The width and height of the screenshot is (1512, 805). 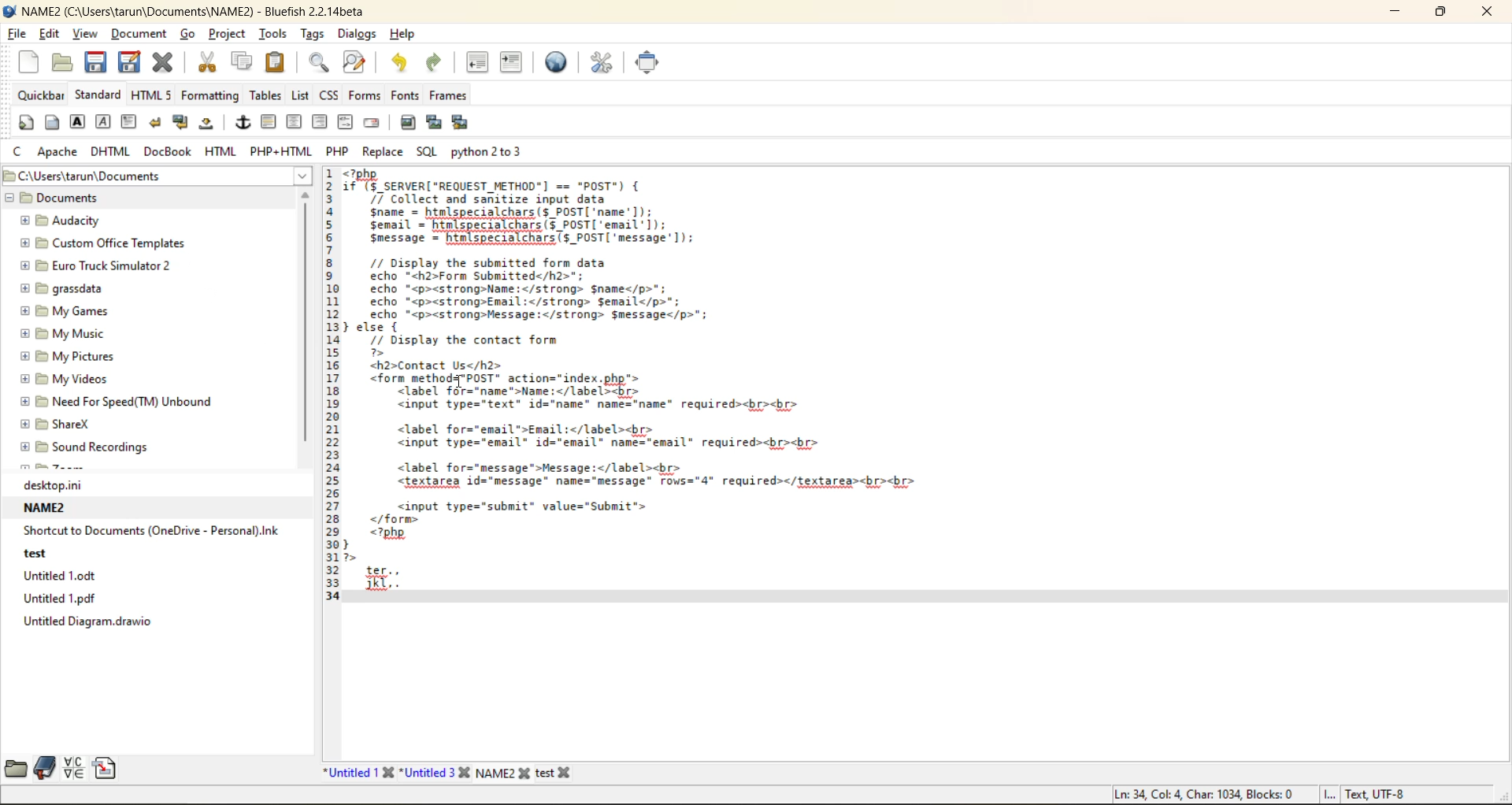 I want to click on html, so click(x=221, y=151).